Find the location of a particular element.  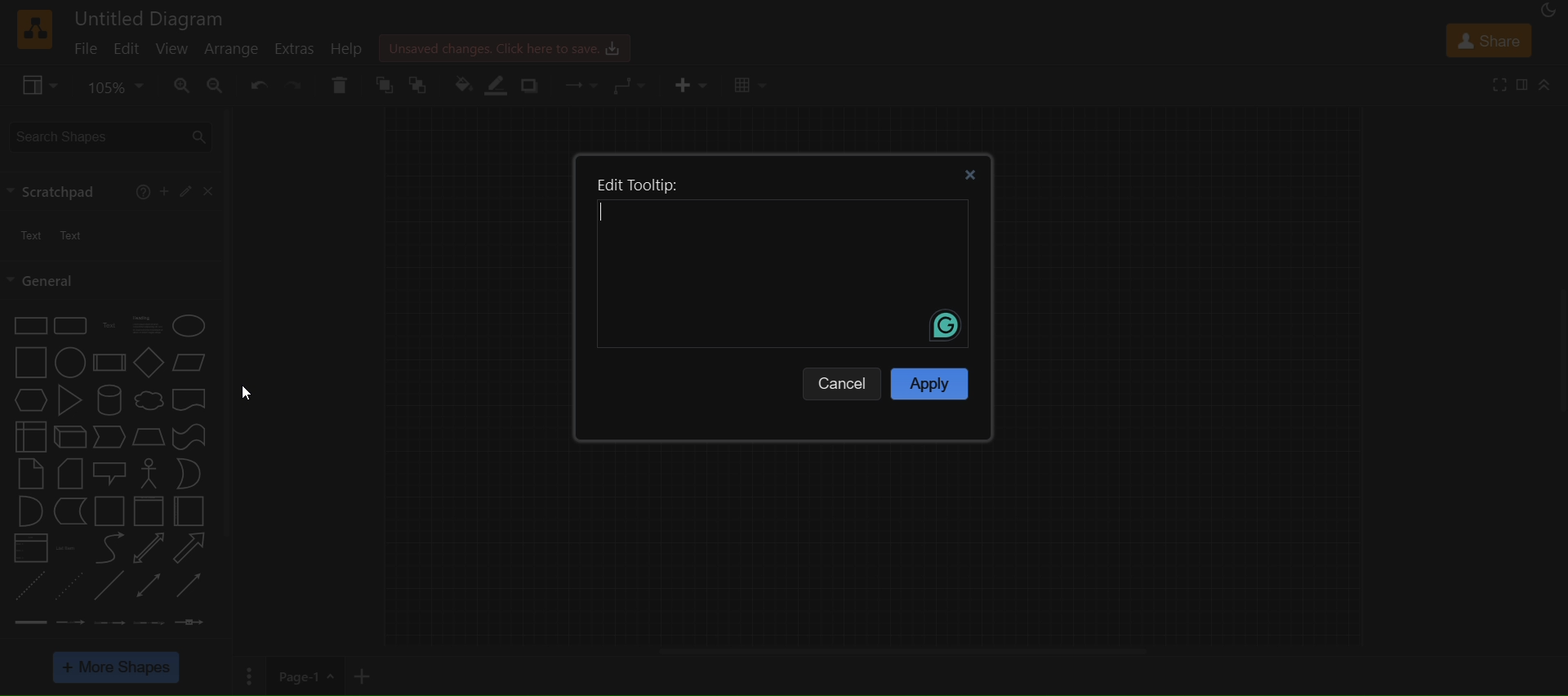

and is located at coordinates (28, 511).